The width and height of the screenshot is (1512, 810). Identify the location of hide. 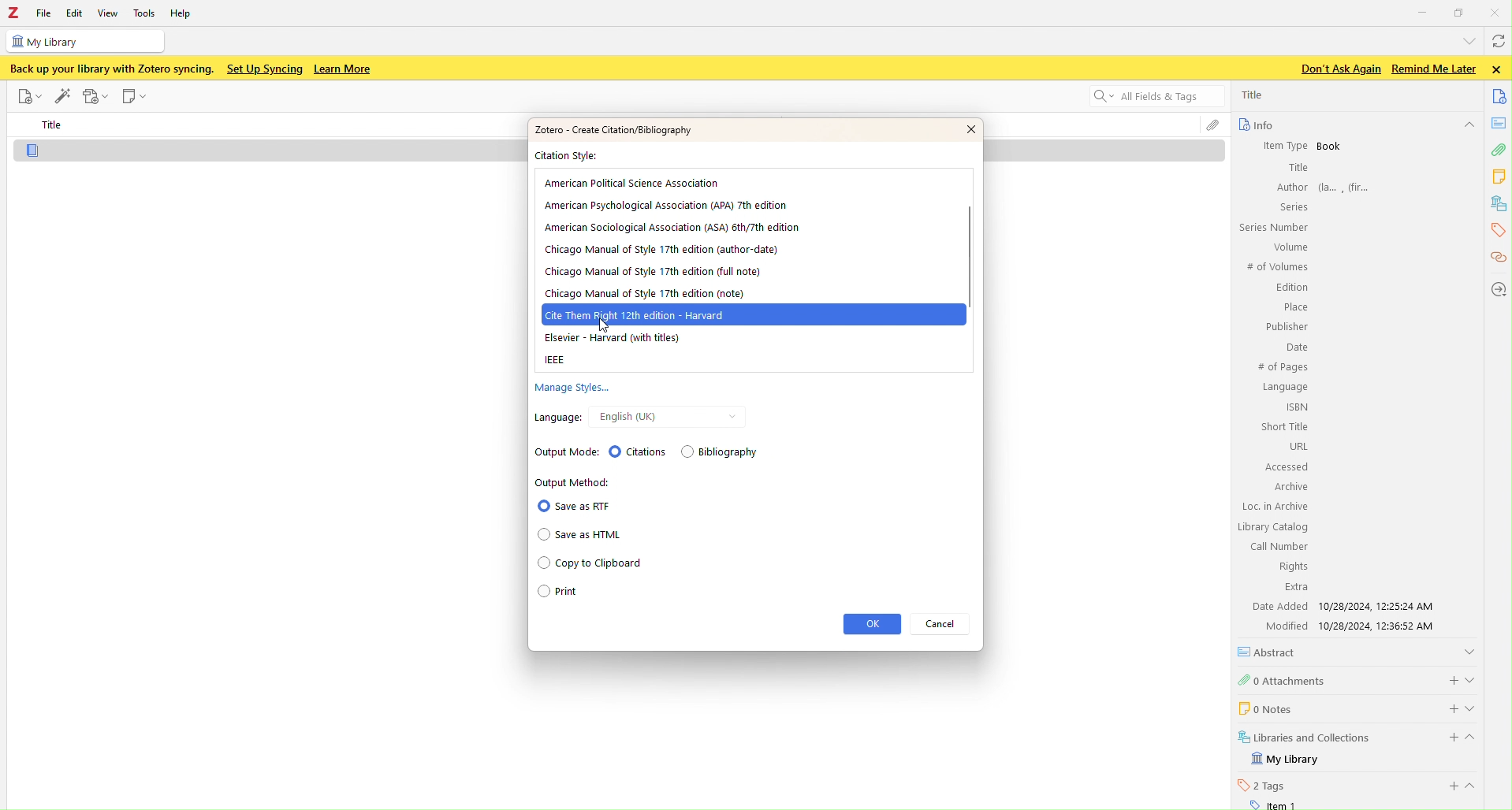
(1468, 126).